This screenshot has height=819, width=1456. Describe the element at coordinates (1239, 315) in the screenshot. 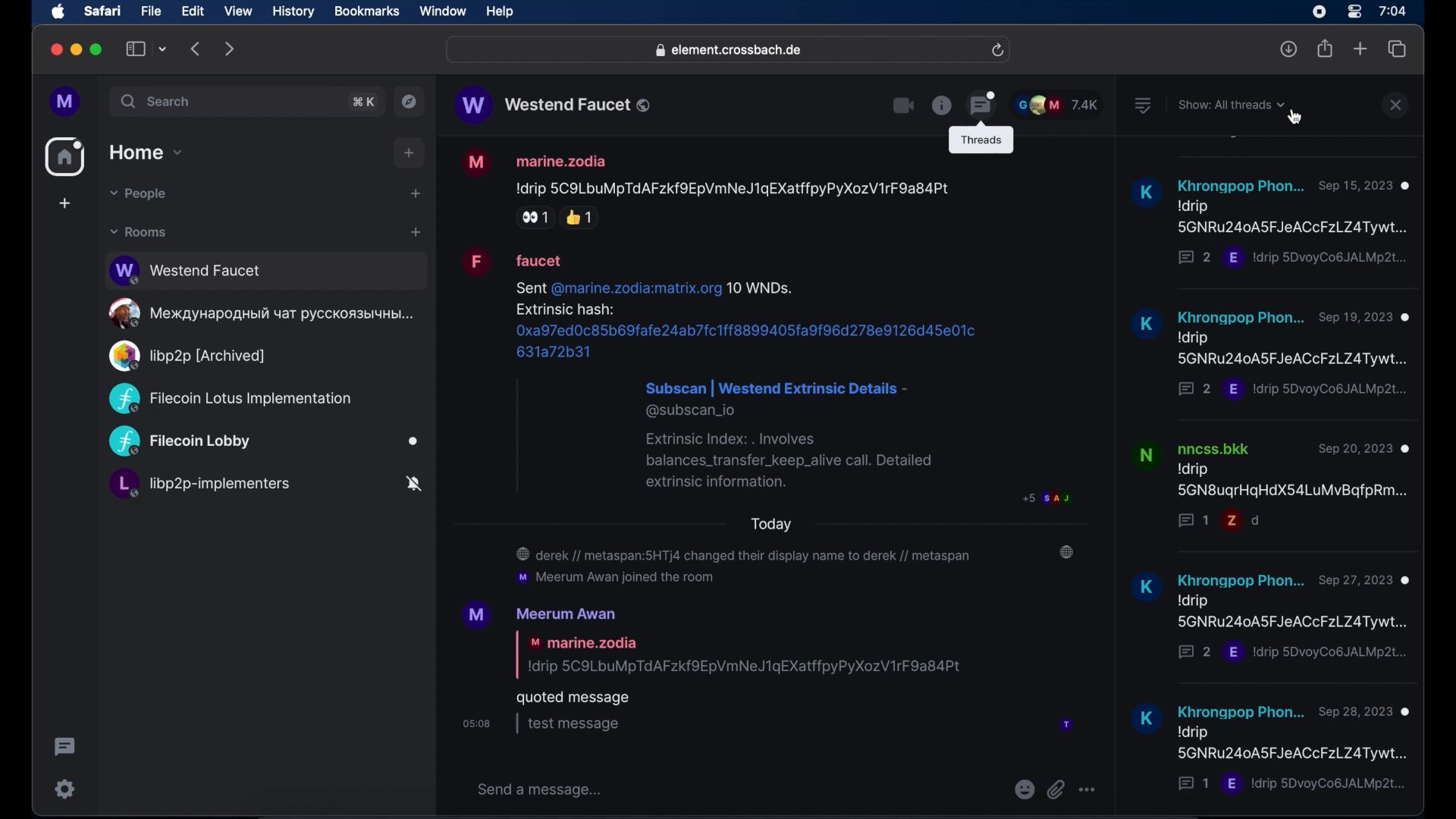

I see `Khrongpop Phon...` at that location.